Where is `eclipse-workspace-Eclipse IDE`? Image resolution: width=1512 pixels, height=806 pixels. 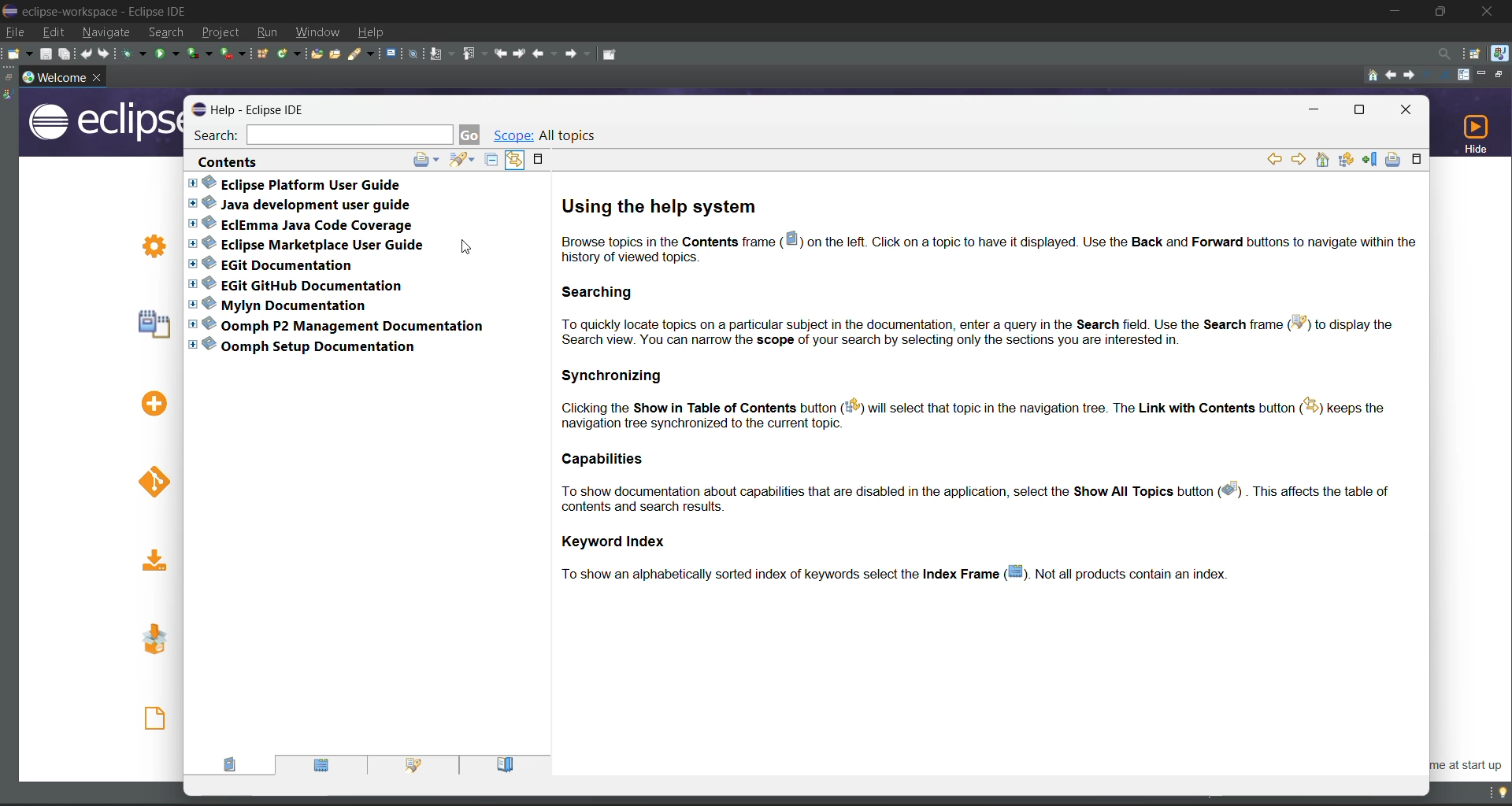
eclipse-workspace-Eclipse IDE is located at coordinates (100, 13).